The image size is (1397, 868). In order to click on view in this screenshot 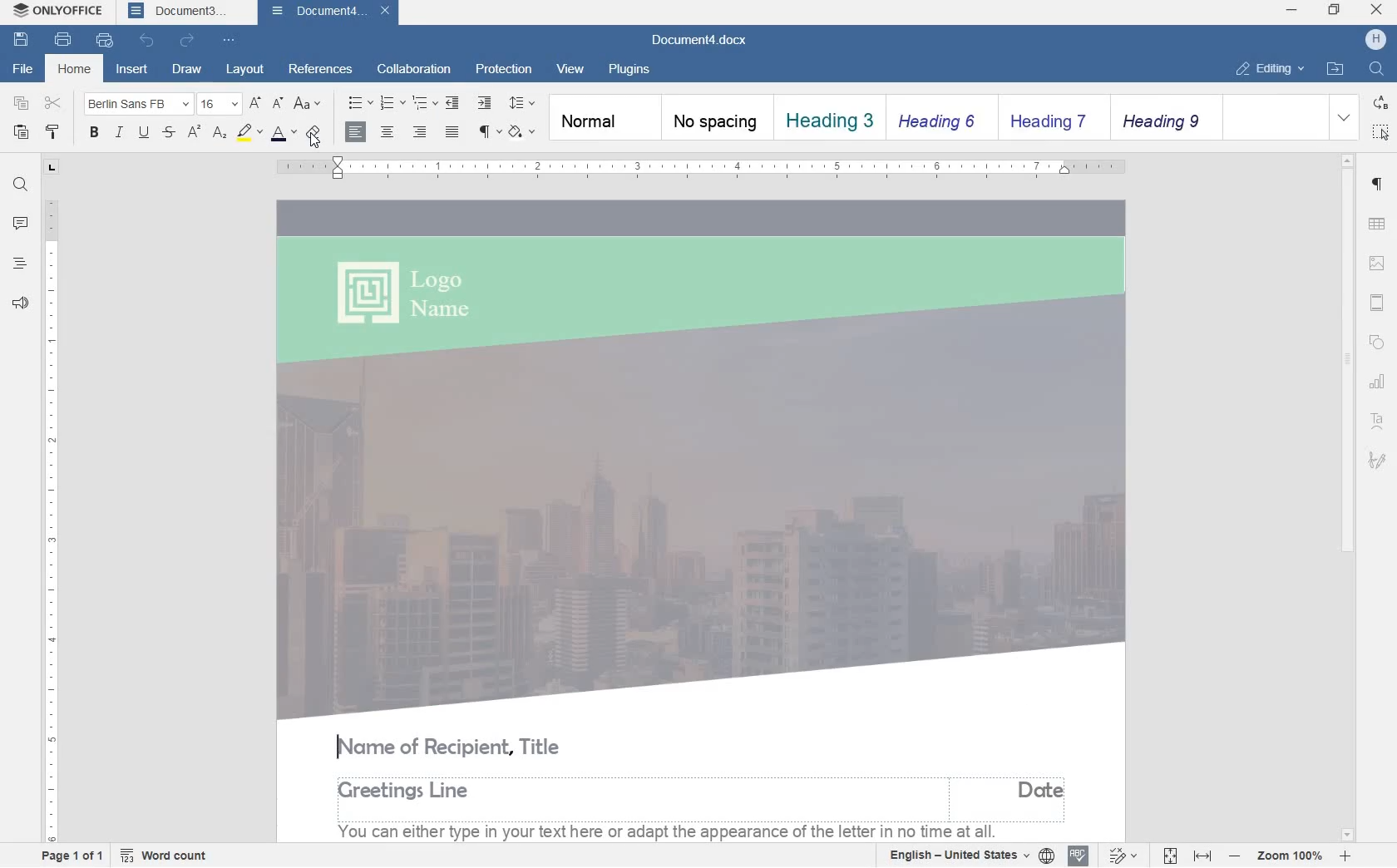, I will do `click(572, 71)`.